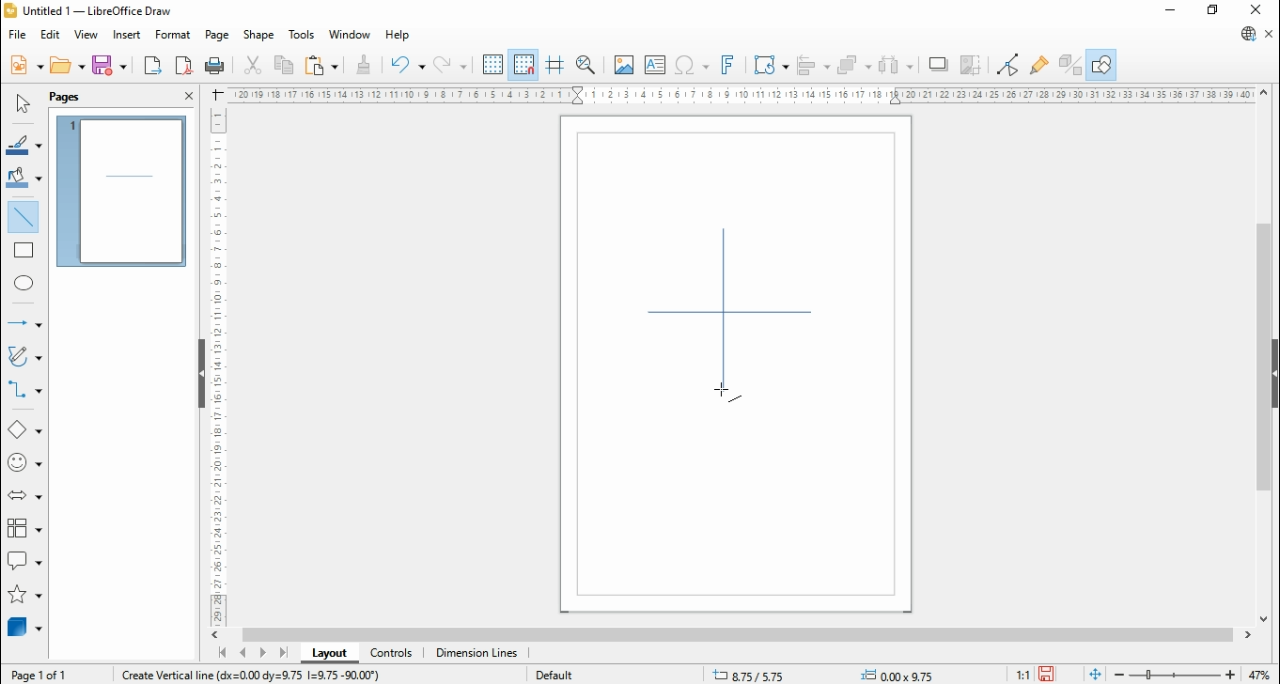 The width and height of the screenshot is (1280, 684). What do you see at coordinates (975, 64) in the screenshot?
I see `crop` at bounding box center [975, 64].